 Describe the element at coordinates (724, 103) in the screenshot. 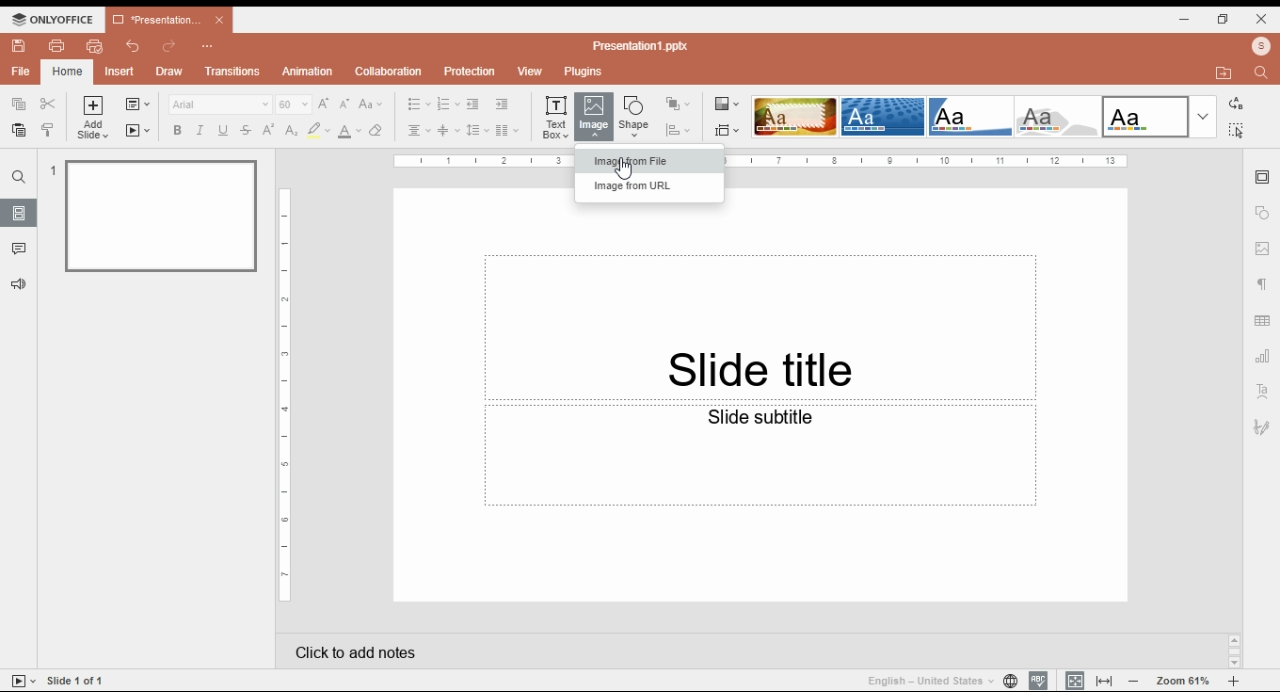

I see `color themes` at that location.